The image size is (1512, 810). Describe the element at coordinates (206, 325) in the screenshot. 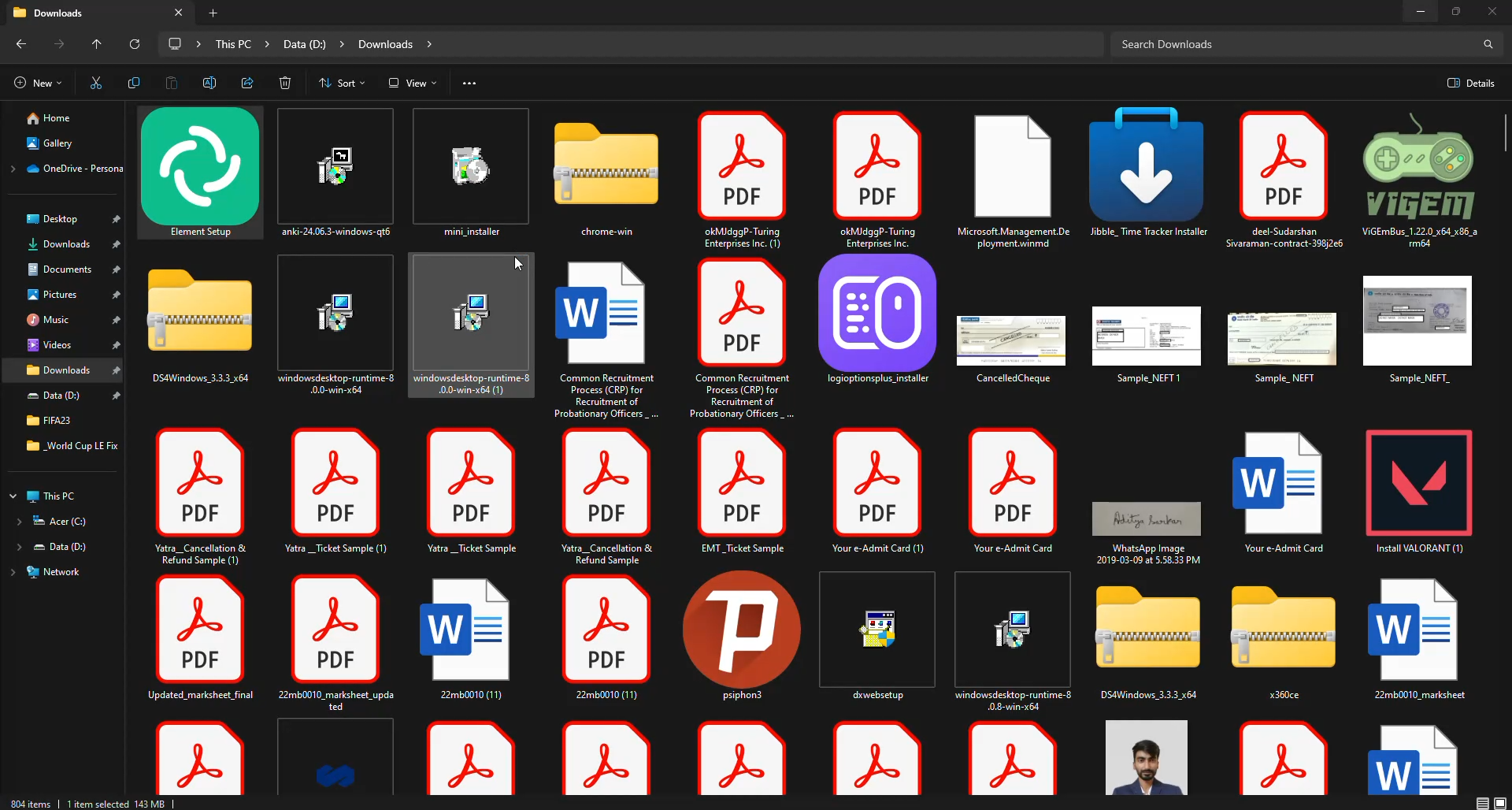

I see `folder` at that location.